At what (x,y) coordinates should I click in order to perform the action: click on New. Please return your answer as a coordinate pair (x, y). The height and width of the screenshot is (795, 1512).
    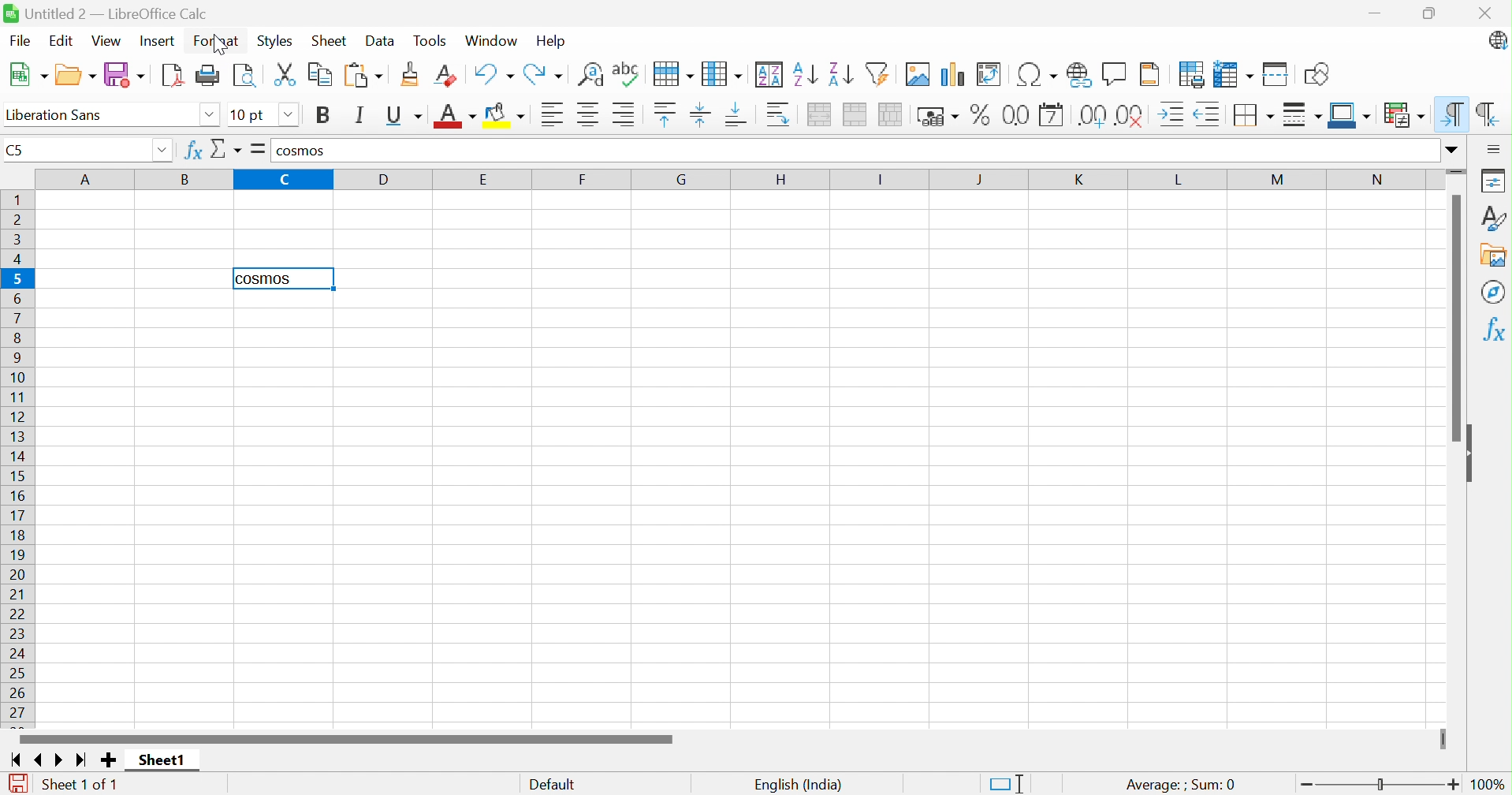
    Looking at the image, I should click on (28, 76).